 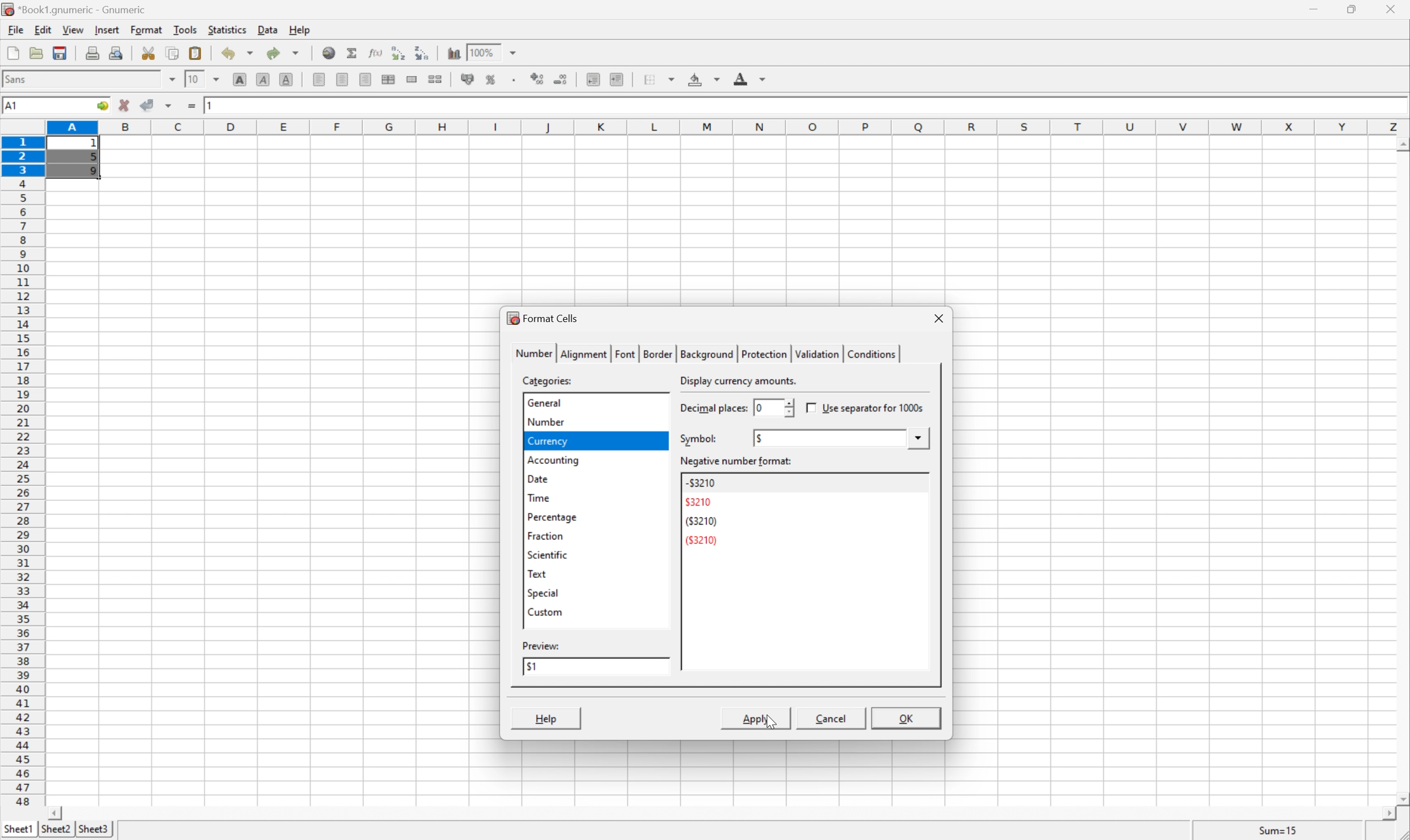 What do you see at coordinates (14, 106) in the screenshot?
I see `A1` at bounding box center [14, 106].